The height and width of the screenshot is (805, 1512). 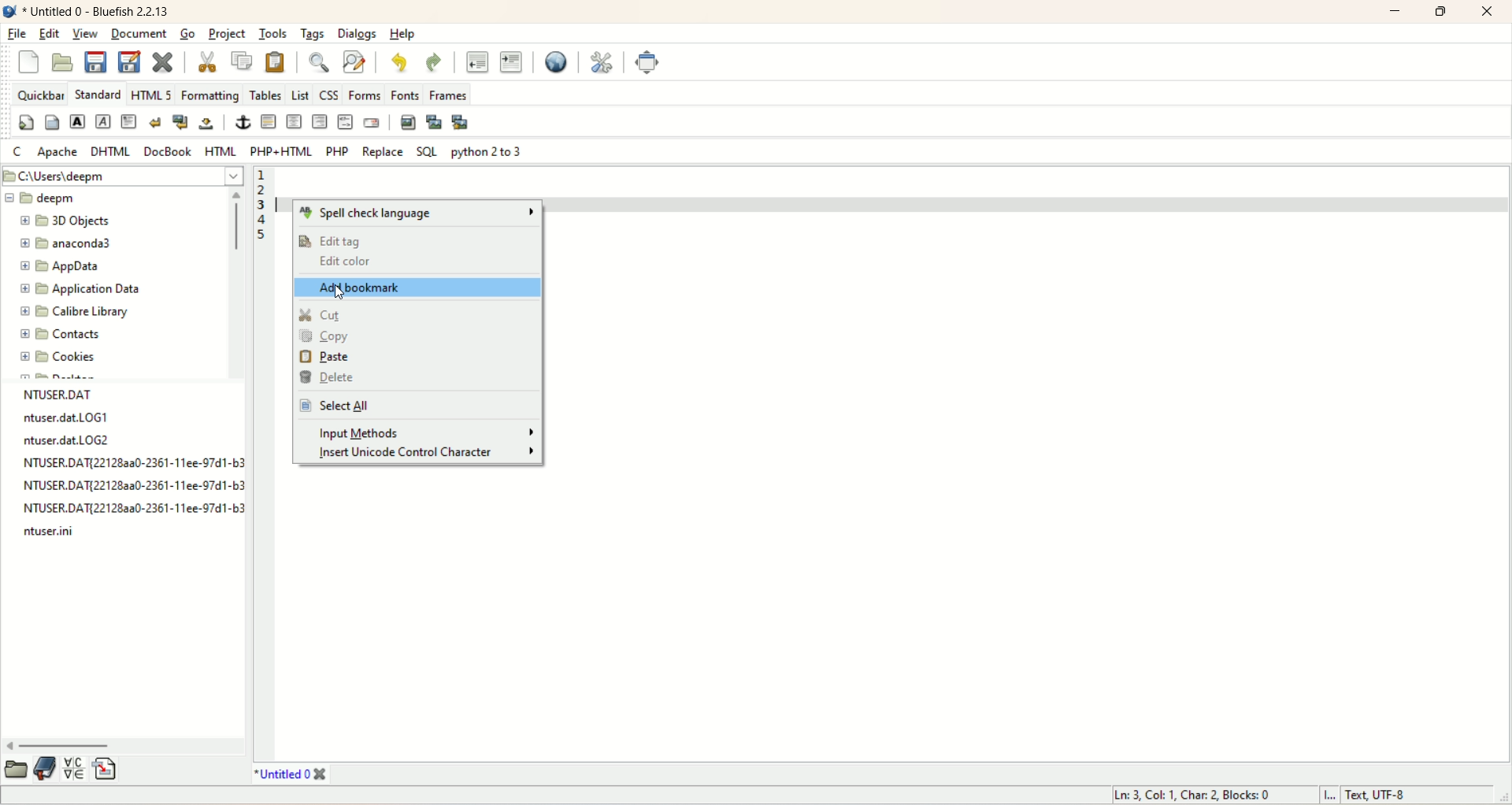 What do you see at coordinates (370, 123) in the screenshot?
I see `email` at bounding box center [370, 123].